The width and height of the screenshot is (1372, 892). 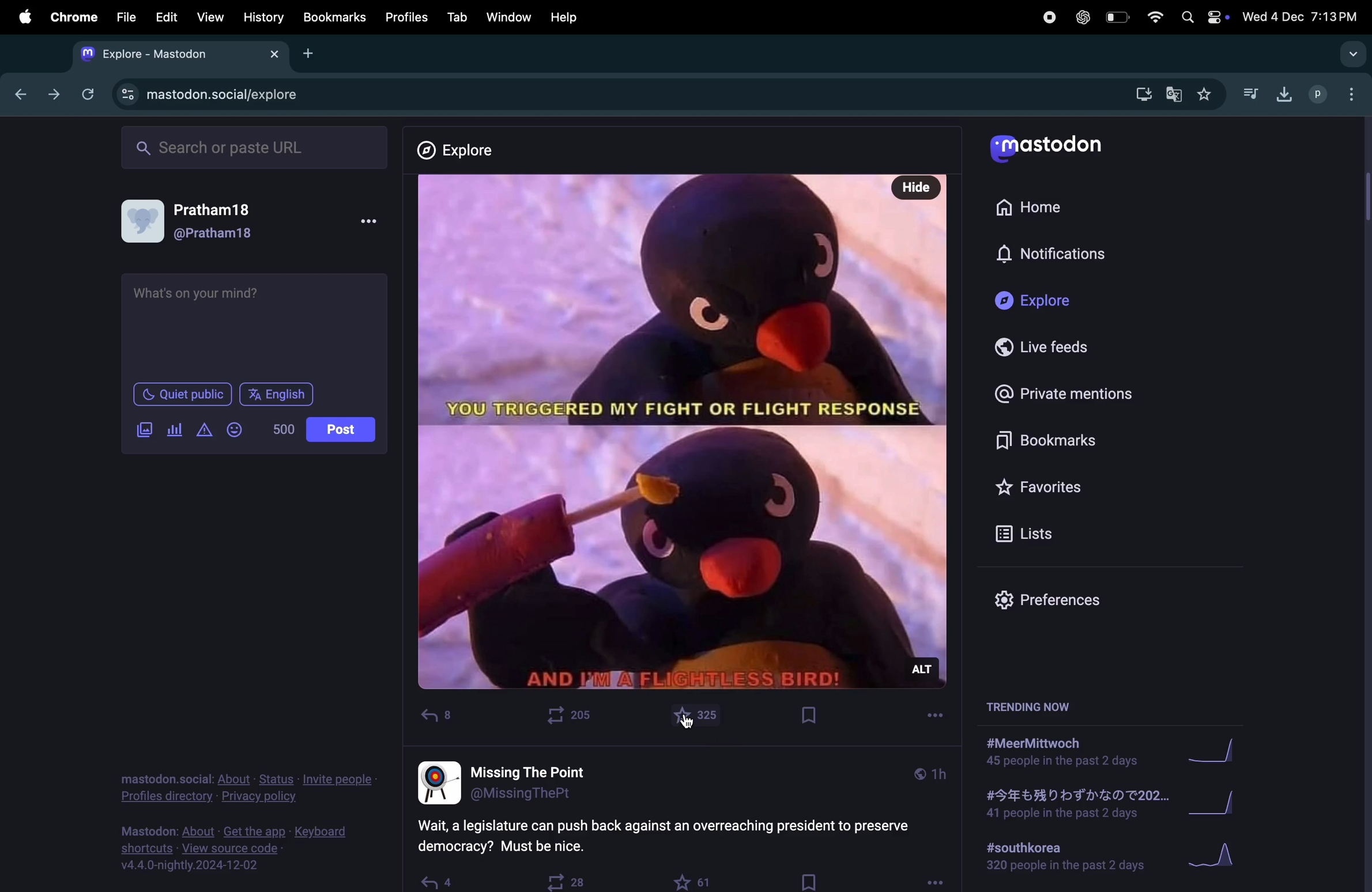 I want to click on more, so click(x=933, y=713).